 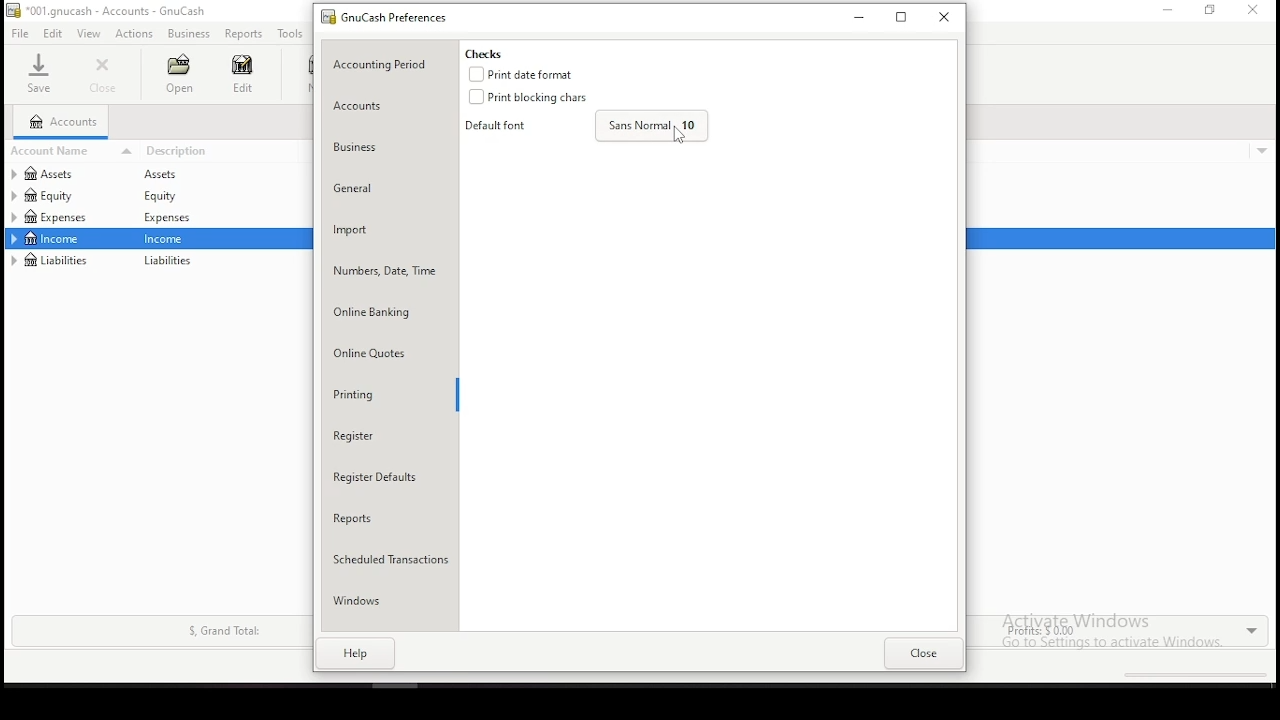 I want to click on view, so click(x=89, y=34).